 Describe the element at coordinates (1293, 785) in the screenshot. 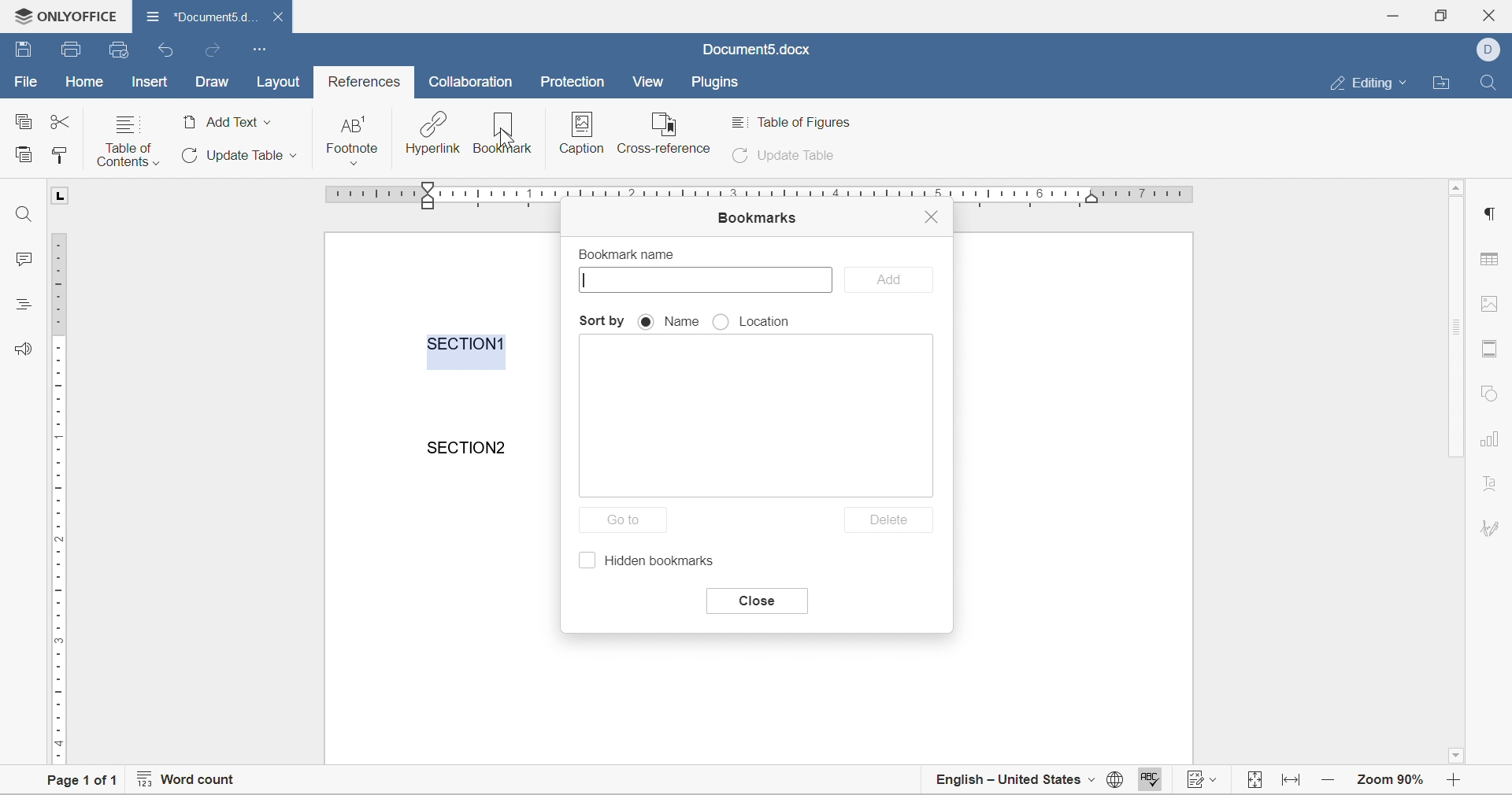

I see `fit to width` at that location.